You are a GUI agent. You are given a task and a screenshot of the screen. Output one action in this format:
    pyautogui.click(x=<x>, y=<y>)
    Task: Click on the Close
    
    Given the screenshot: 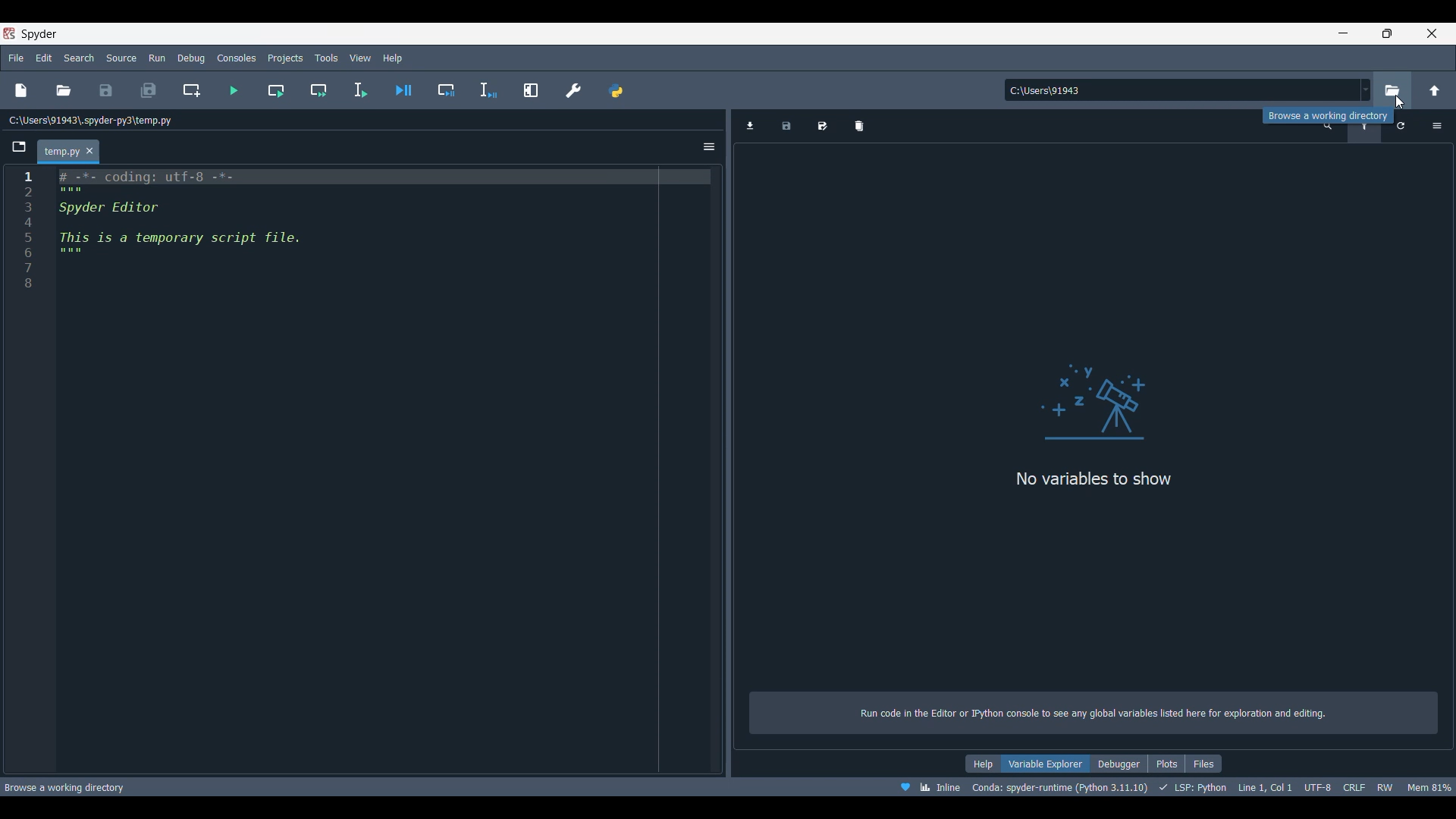 What is the action you would take?
    pyautogui.click(x=1432, y=33)
    